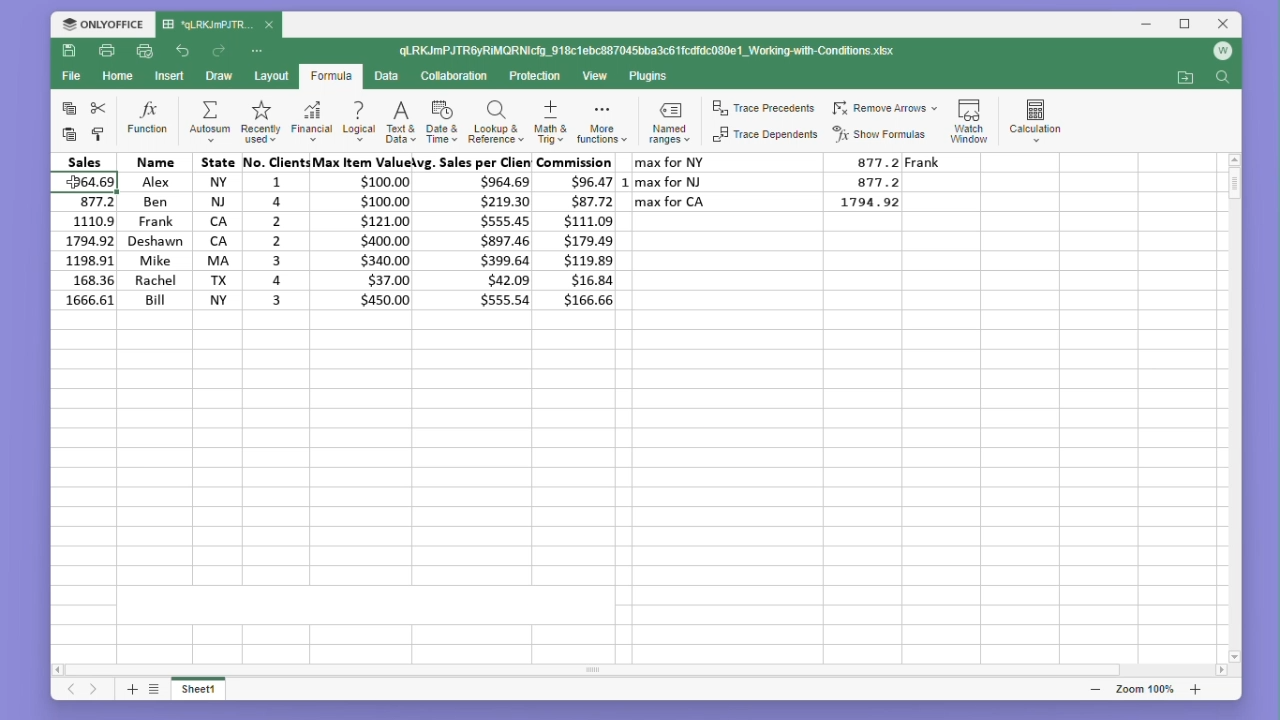  Describe the element at coordinates (628, 481) in the screenshot. I see `Empty cells` at that location.